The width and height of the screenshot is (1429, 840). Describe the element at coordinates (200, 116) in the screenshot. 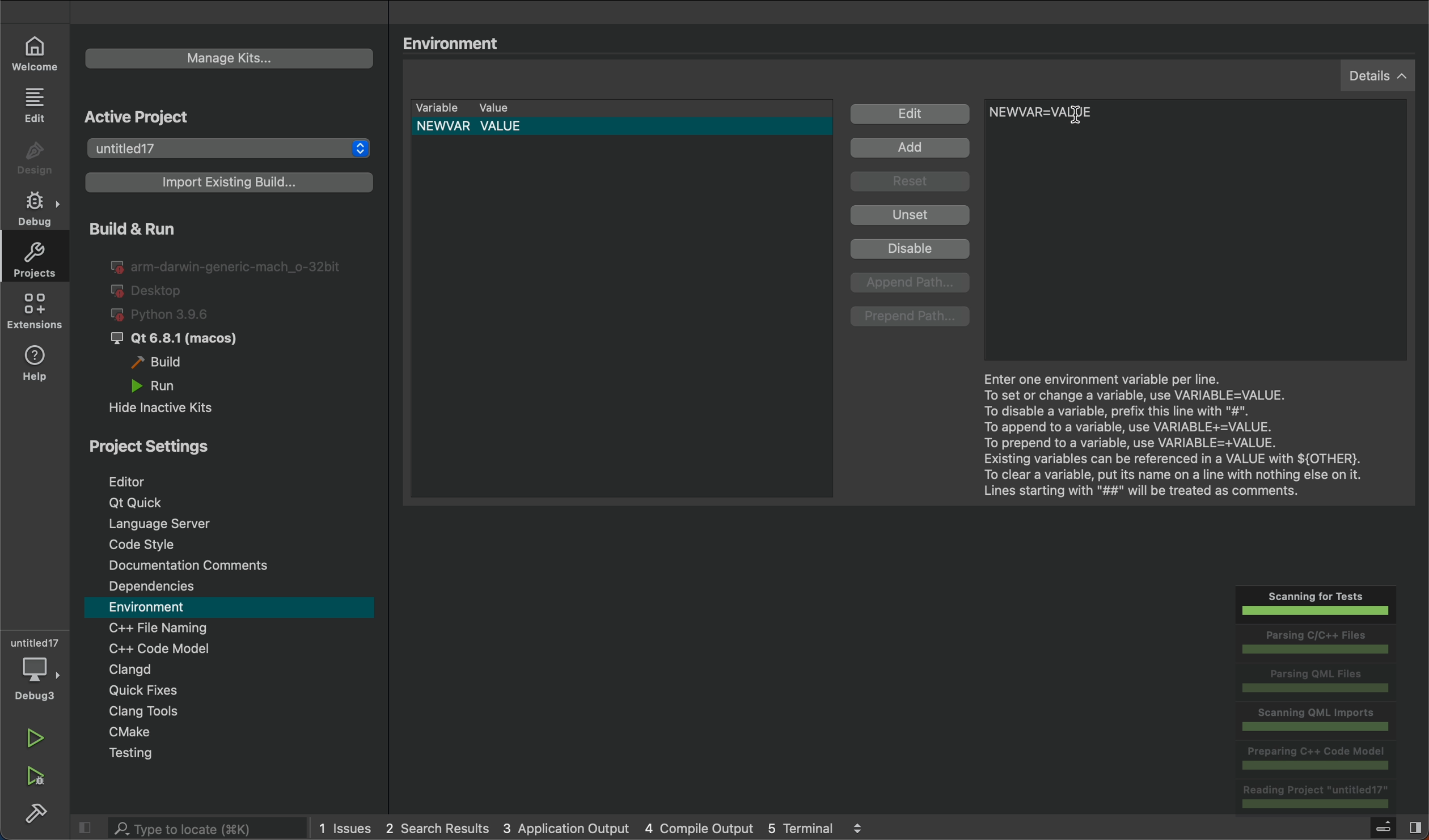

I see `Active Project` at that location.